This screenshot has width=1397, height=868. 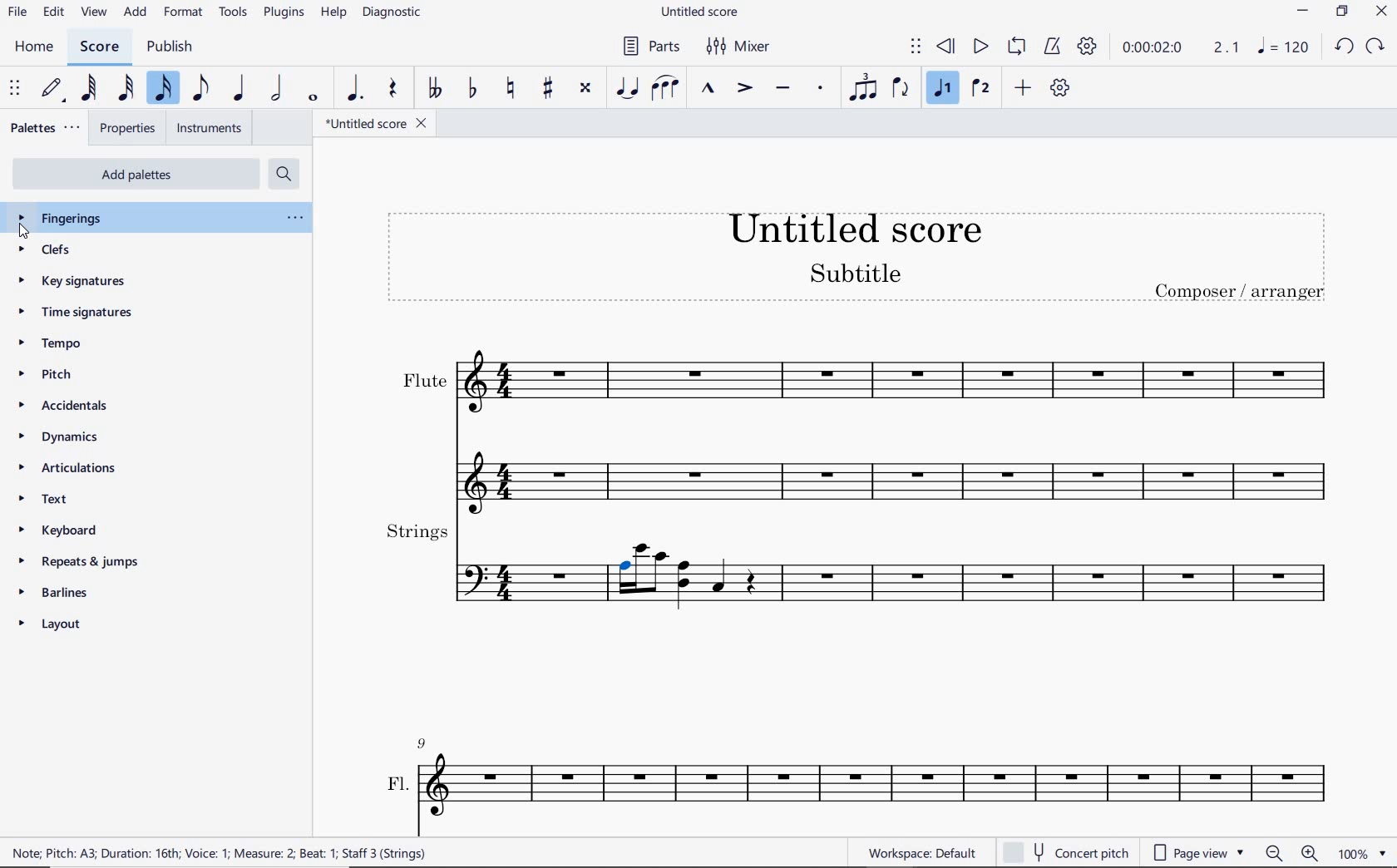 What do you see at coordinates (68, 435) in the screenshot?
I see `dynamics` at bounding box center [68, 435].